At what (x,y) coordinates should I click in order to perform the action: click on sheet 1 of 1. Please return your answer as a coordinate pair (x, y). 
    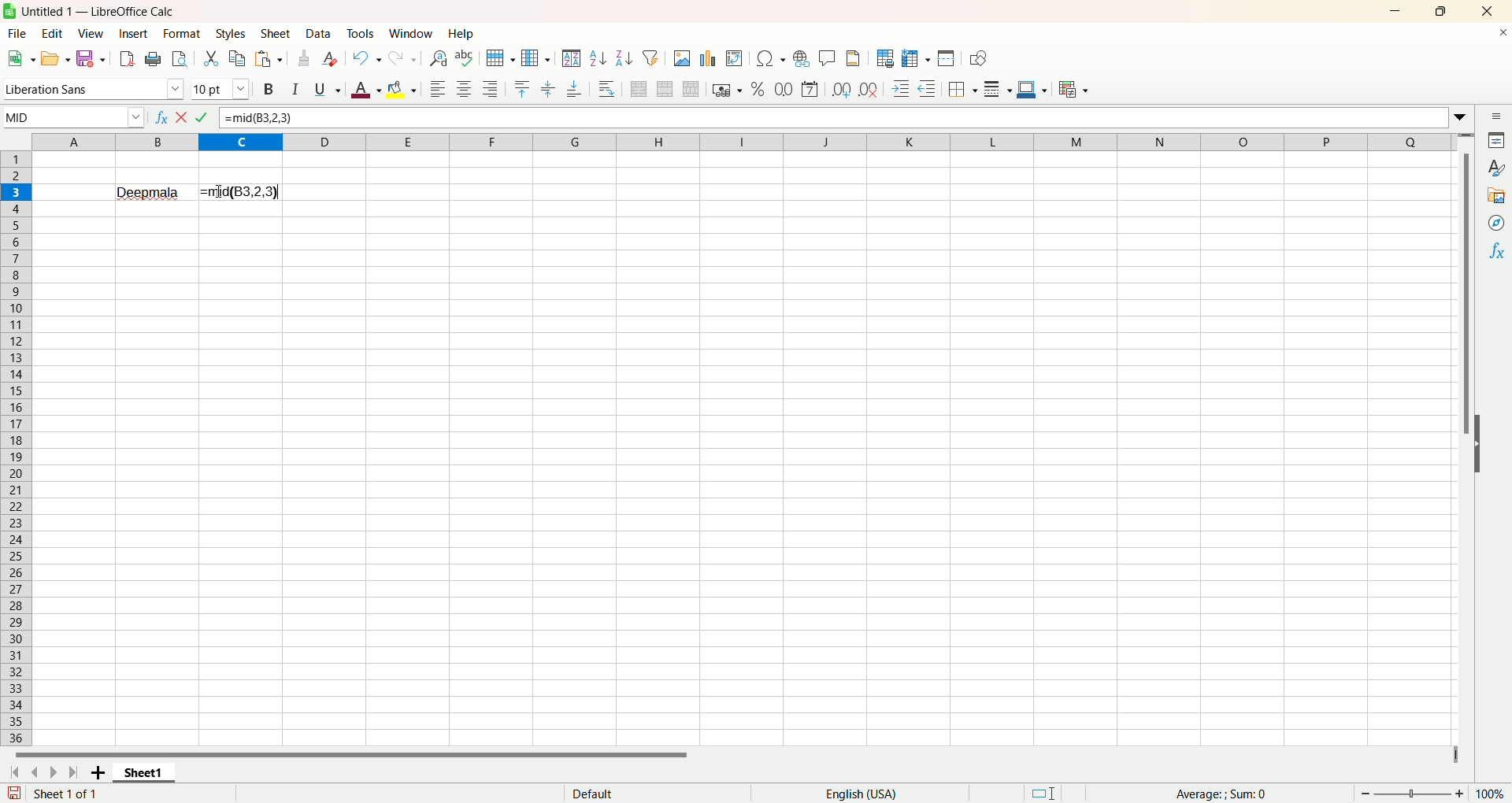
    Looking at the image, I should click on (65, 794).